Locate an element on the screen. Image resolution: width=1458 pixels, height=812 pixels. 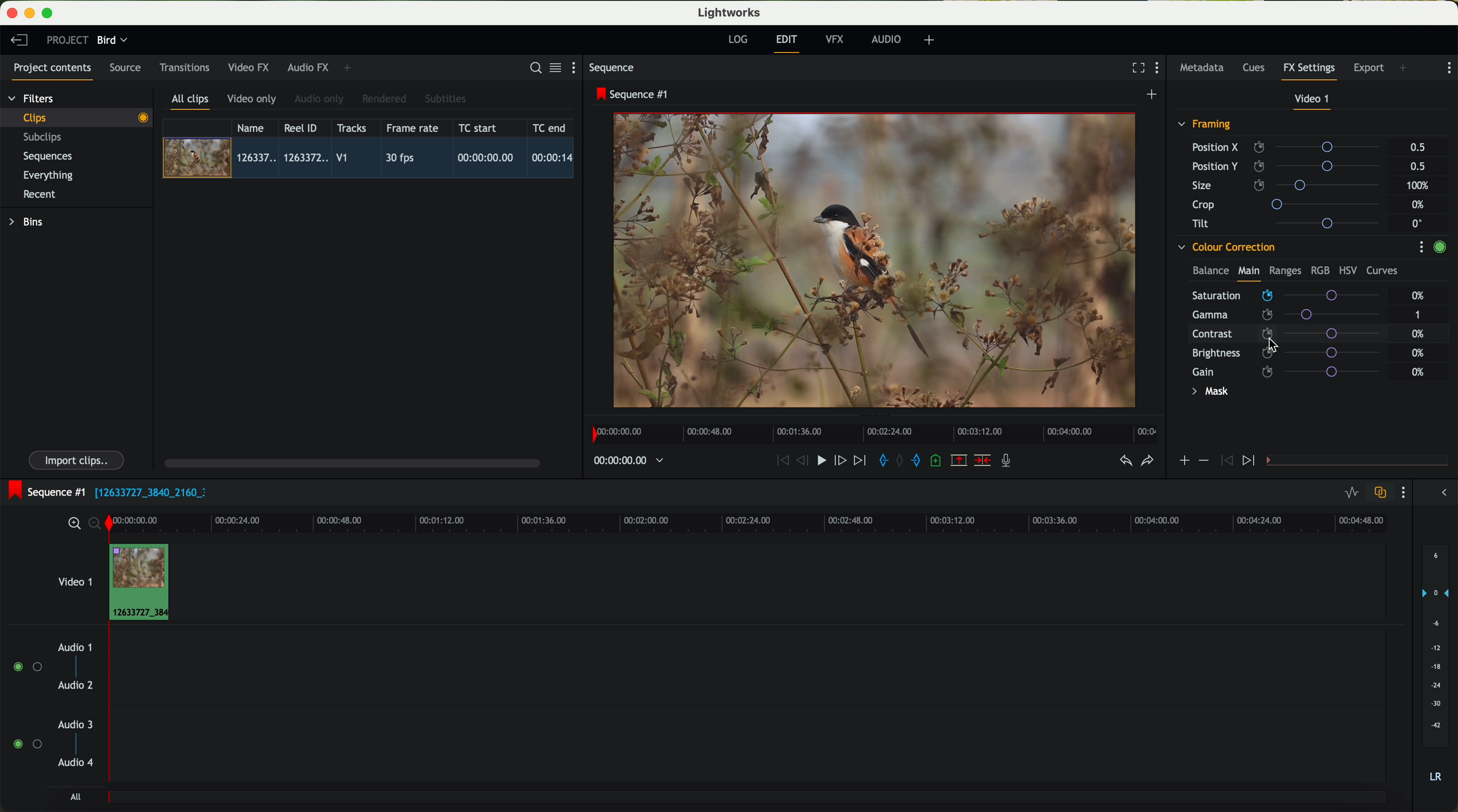
enable audio is located at coordinates (27, 744).